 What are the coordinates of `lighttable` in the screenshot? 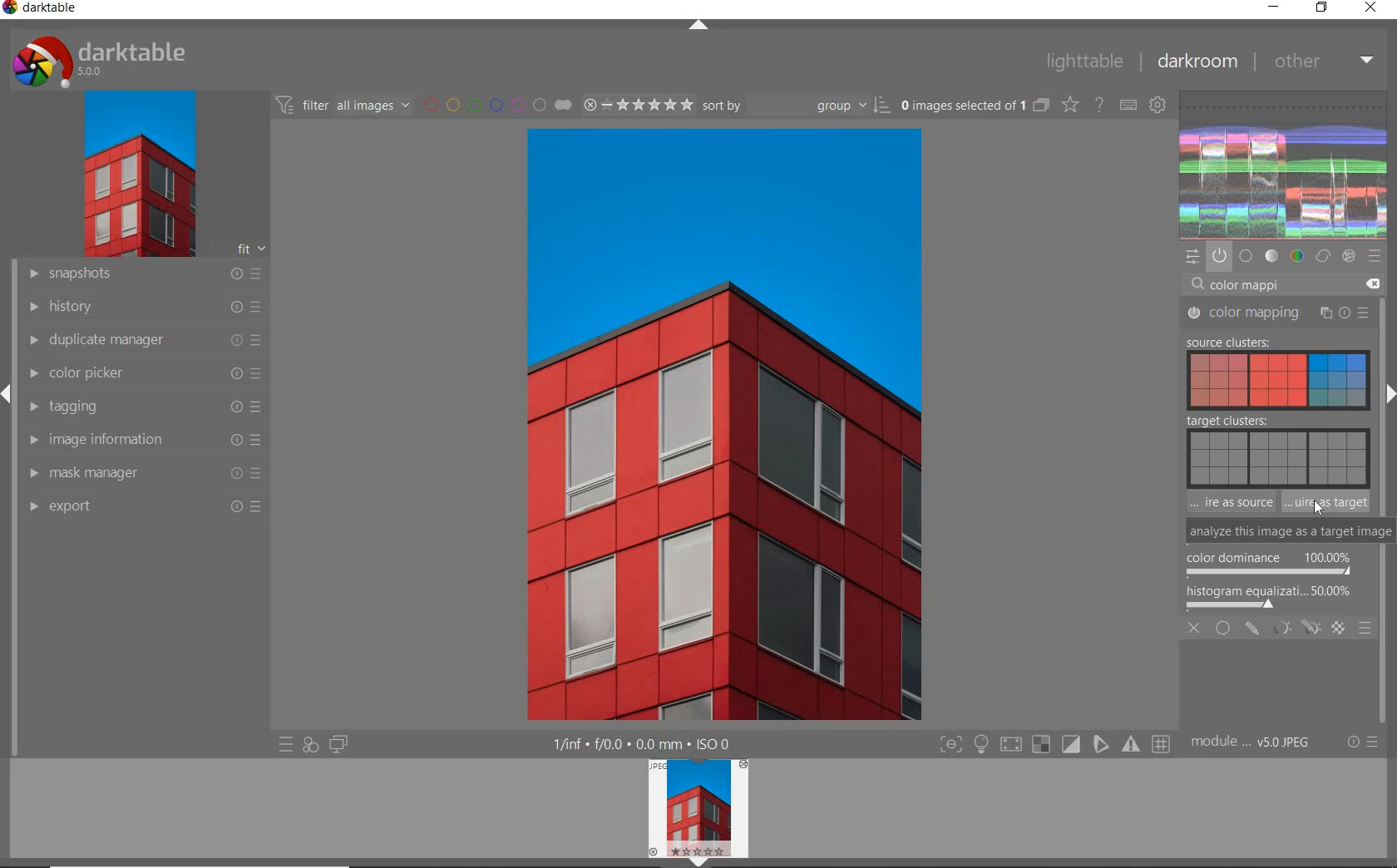 It's located at (1088, 61).